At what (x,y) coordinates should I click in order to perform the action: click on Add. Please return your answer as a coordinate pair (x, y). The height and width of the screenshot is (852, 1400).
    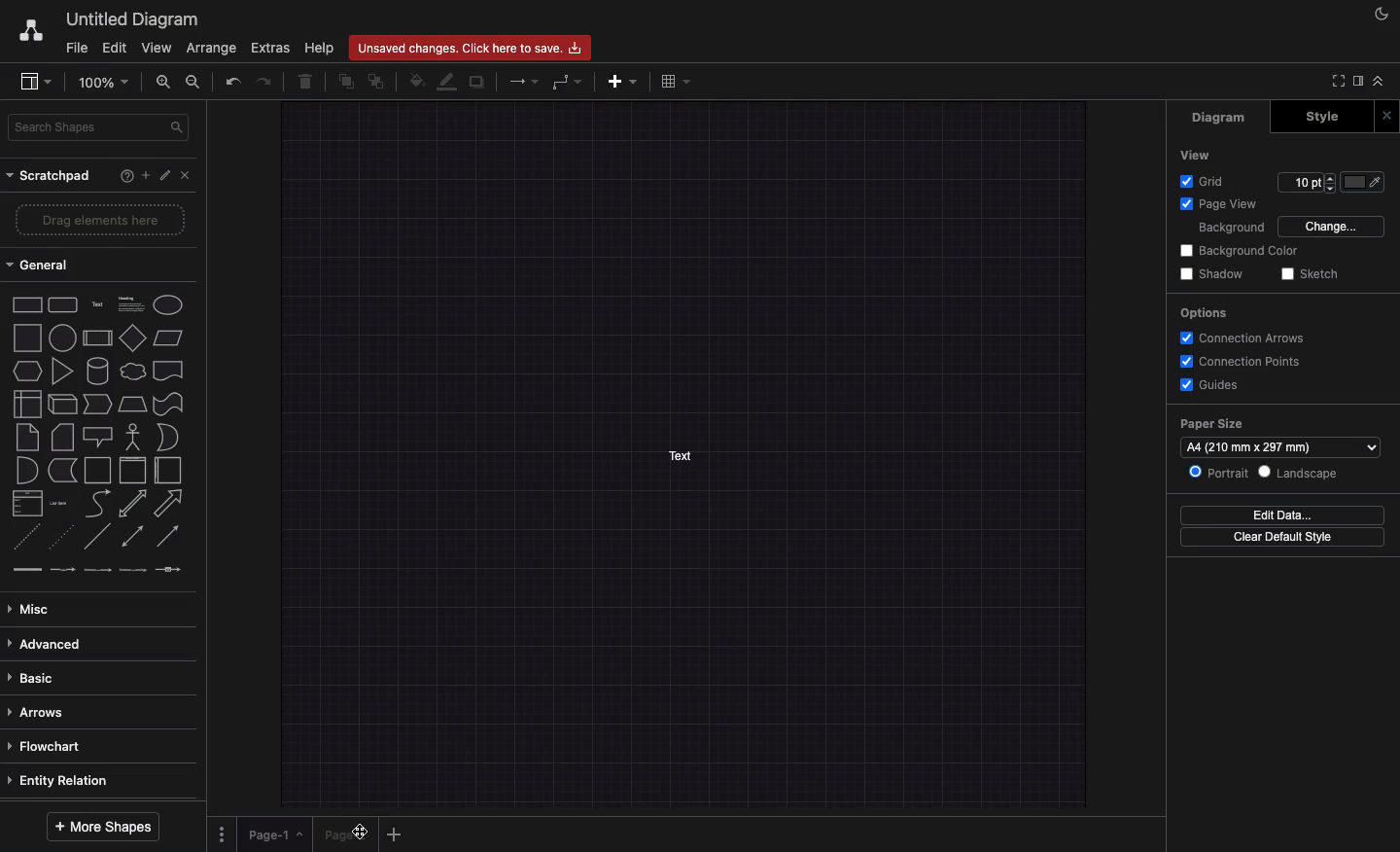
    Looking at the image, I should click on (623, 82).